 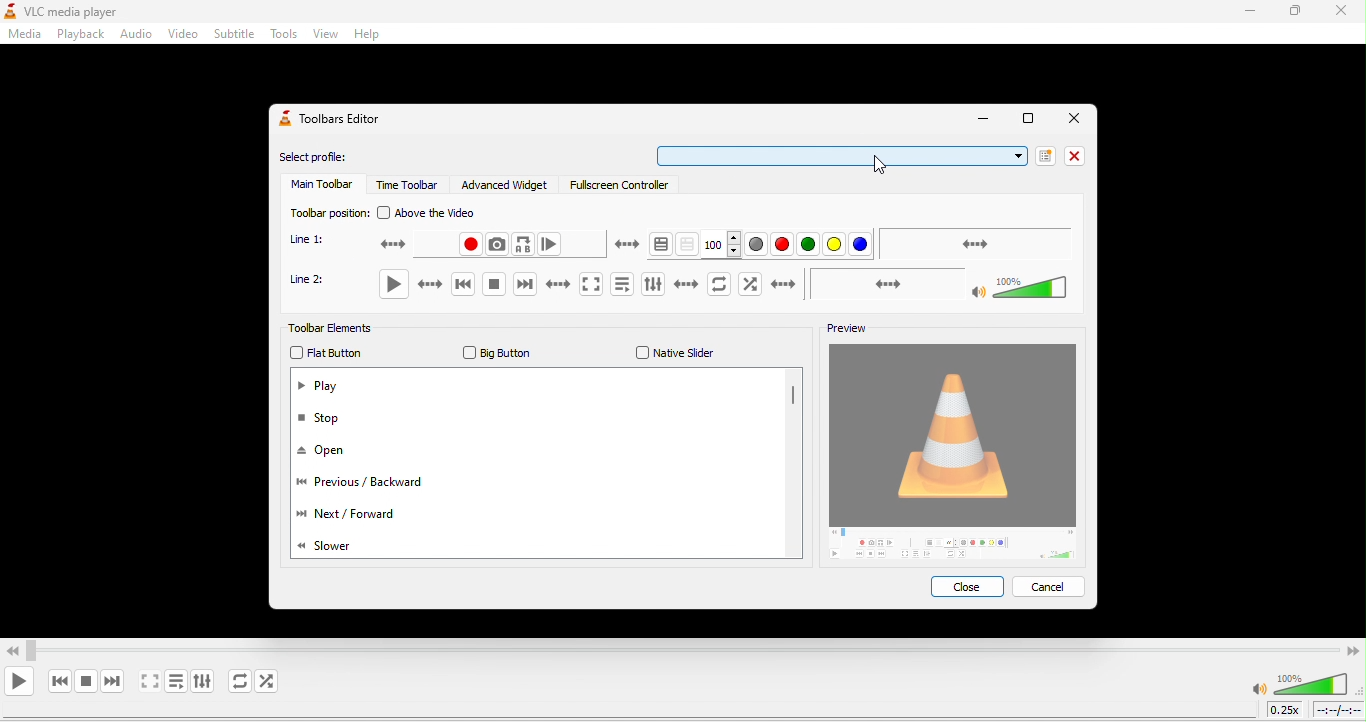 What do you see at coordinates (521, 283) in the screenshot?
I see `next media` at bounding box center [521, 283].